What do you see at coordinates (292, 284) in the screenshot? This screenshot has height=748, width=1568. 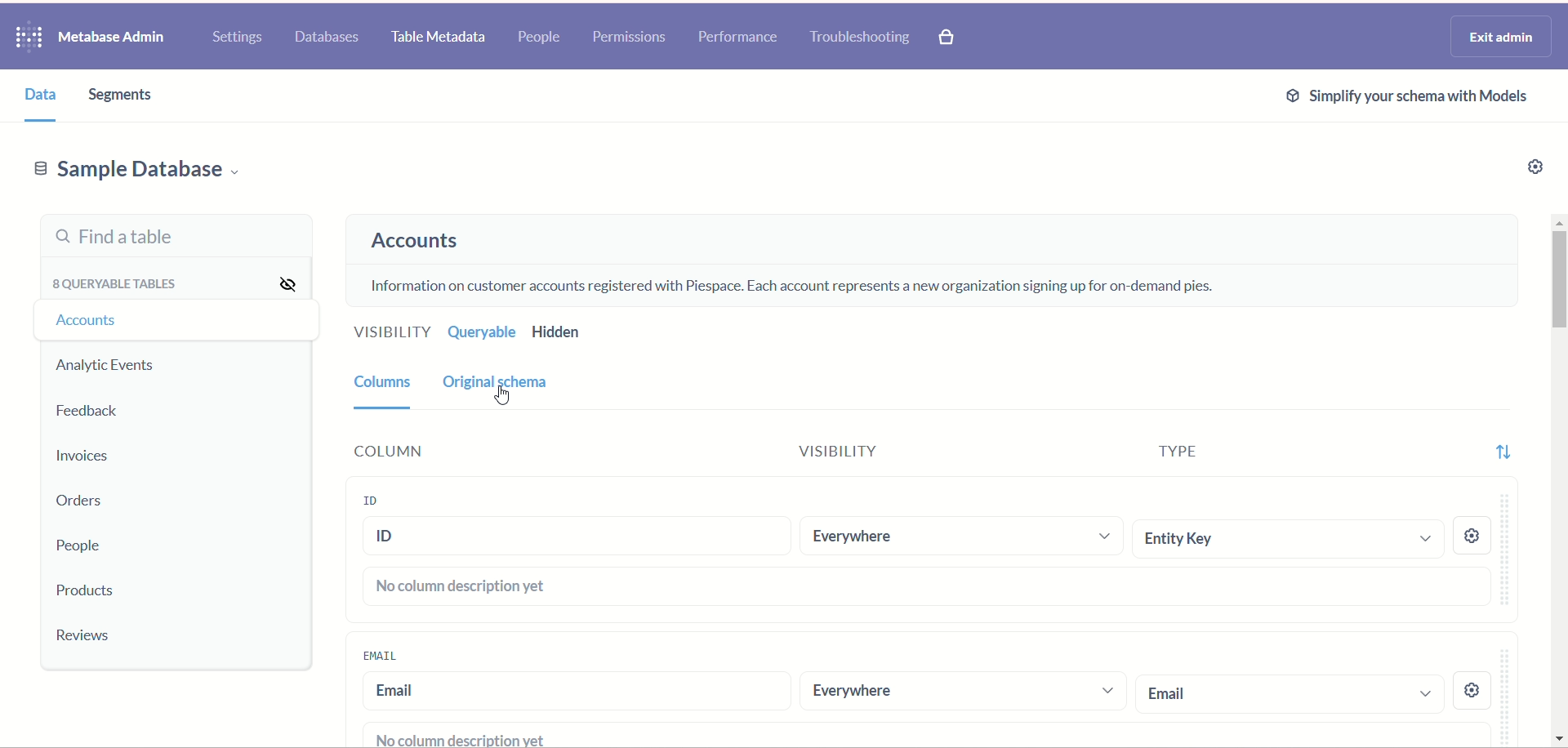 I see `visibility` at bounding box center [292, 284].